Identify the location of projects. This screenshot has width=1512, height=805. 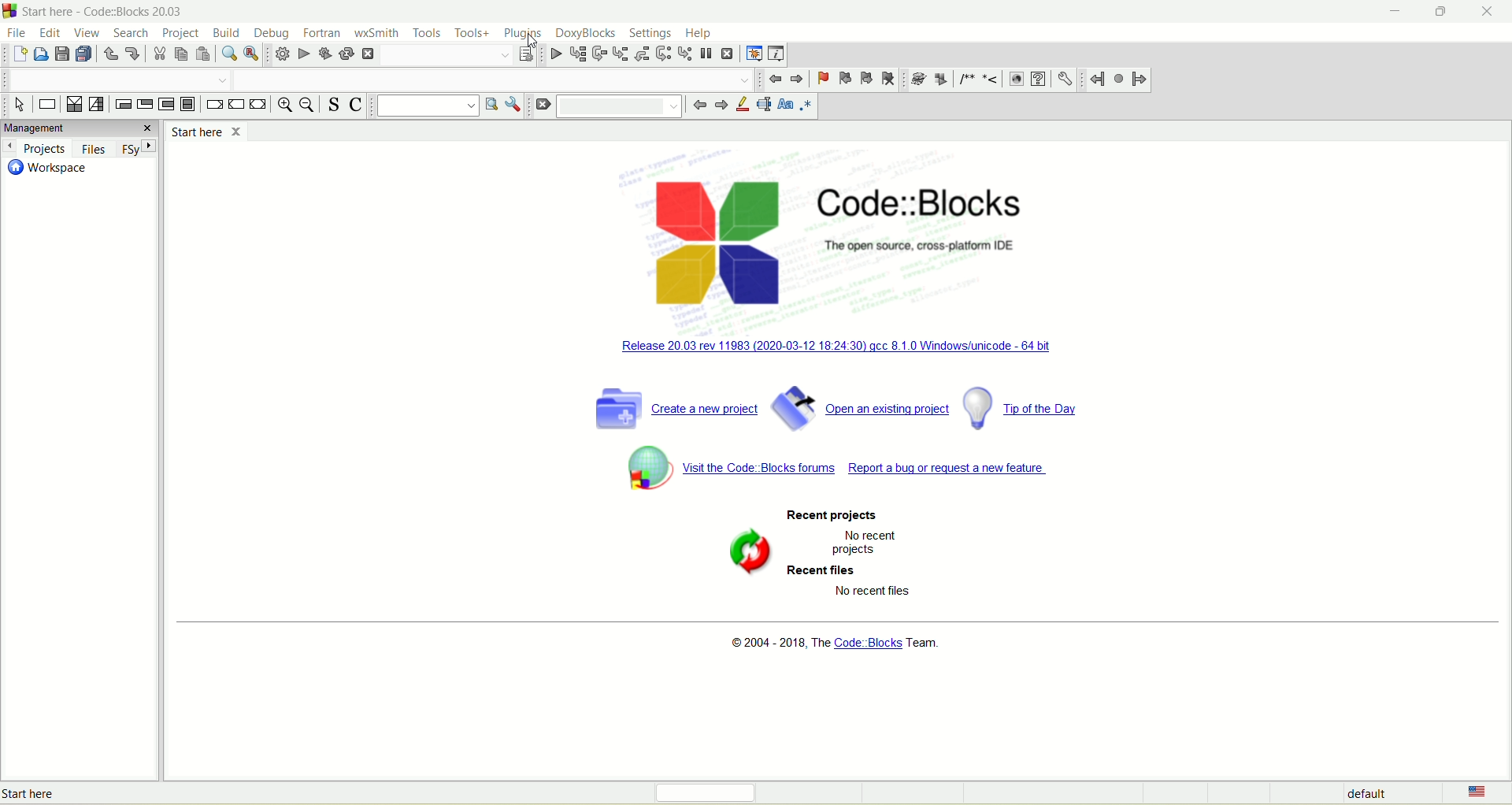
(35, 147).